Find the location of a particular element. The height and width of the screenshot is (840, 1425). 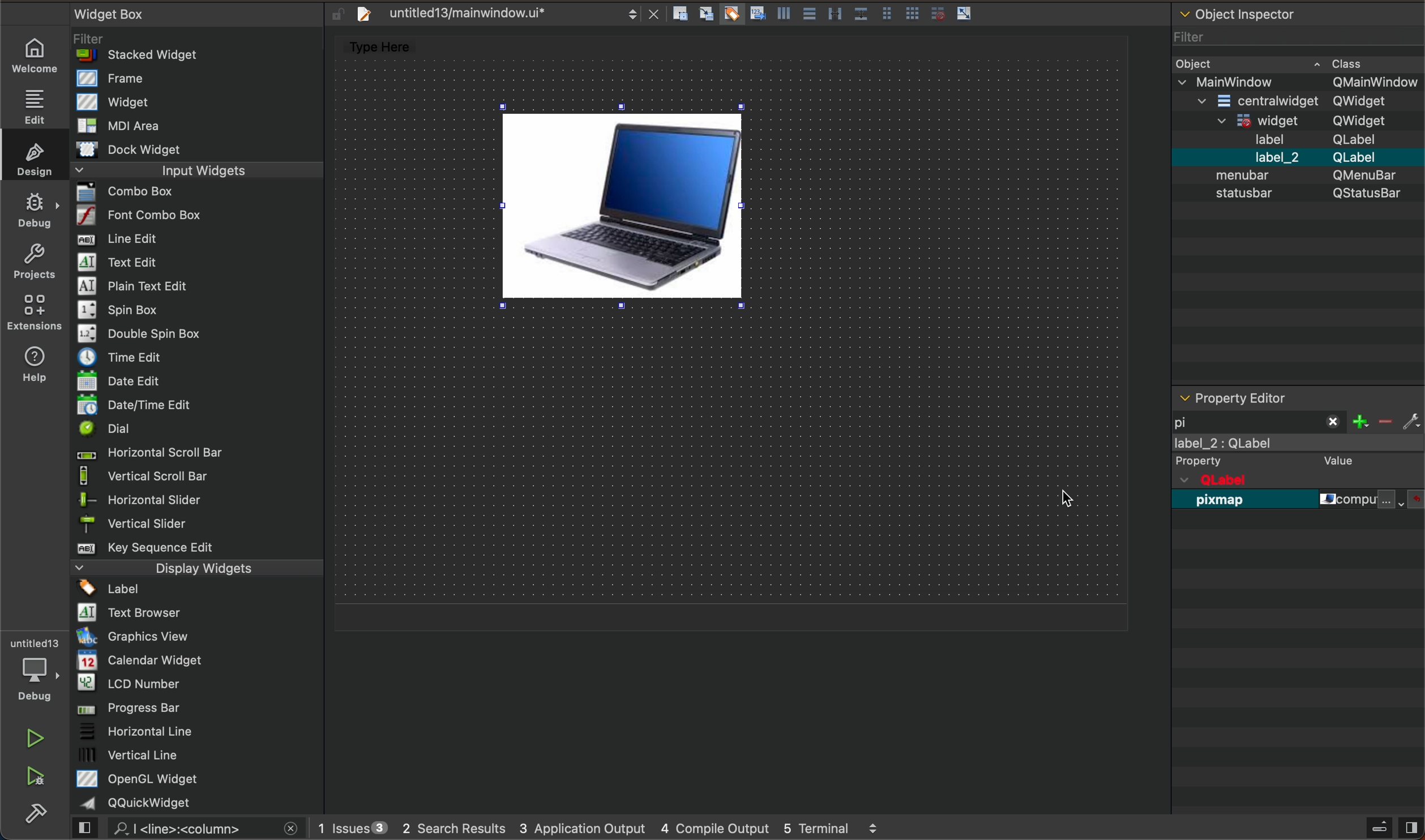

filetr pixmap is located at coordinates (1260, 420).